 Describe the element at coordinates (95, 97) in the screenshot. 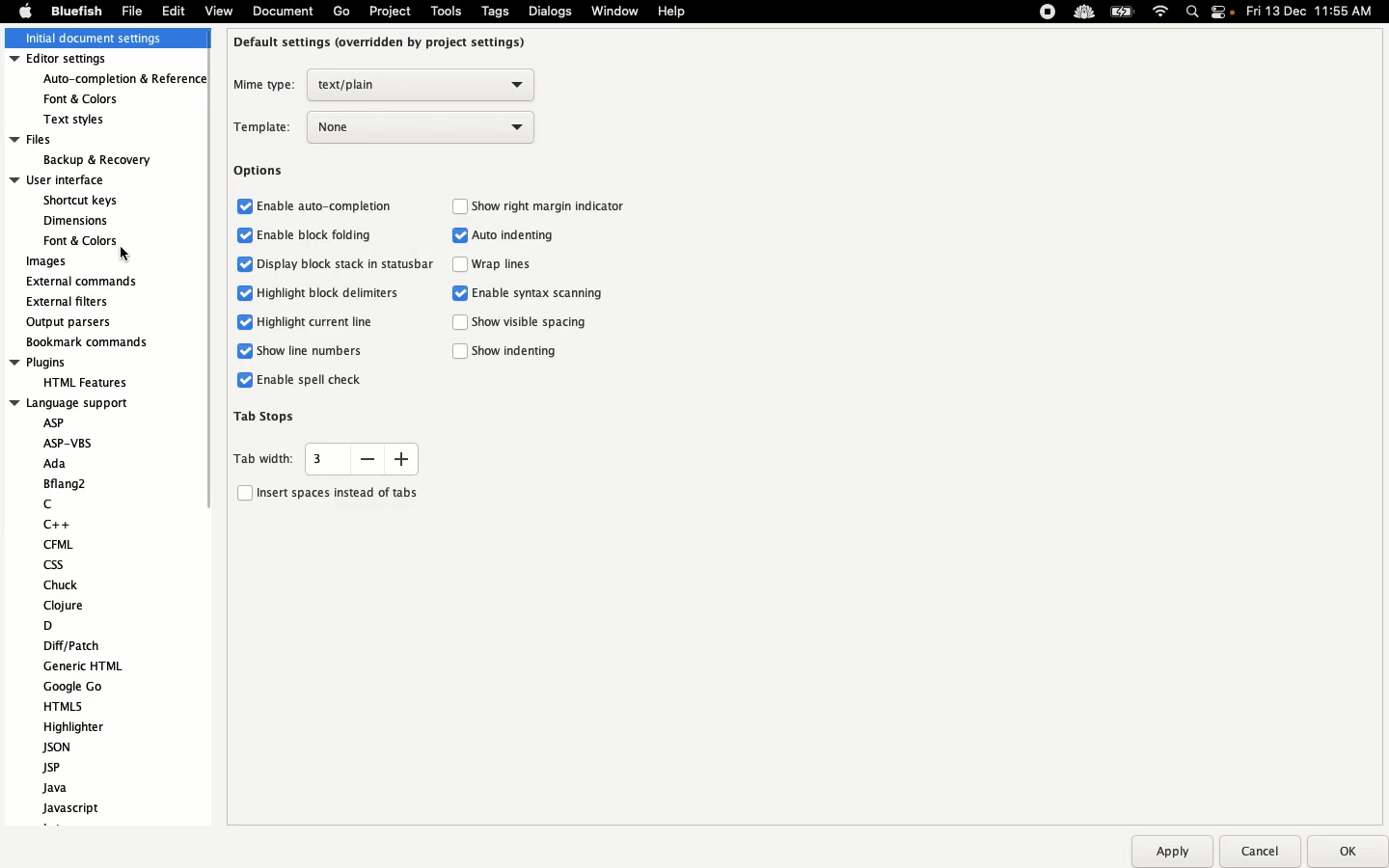

I see `fonts & colors` at that location.